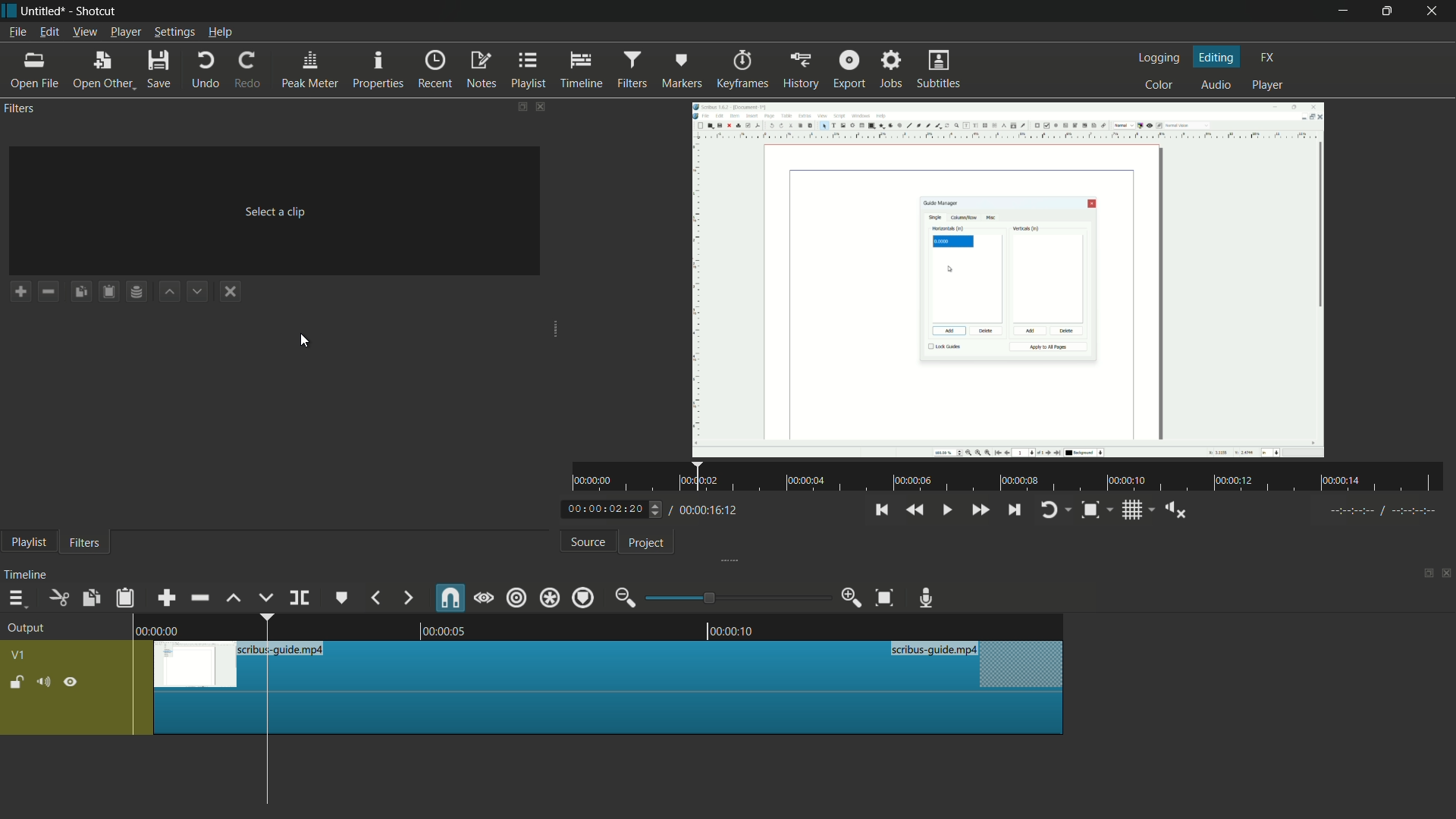 The image size is (1456, 819). Describe the element at coordinates (83, 541) in the screenshot. I see `filters` at that location.